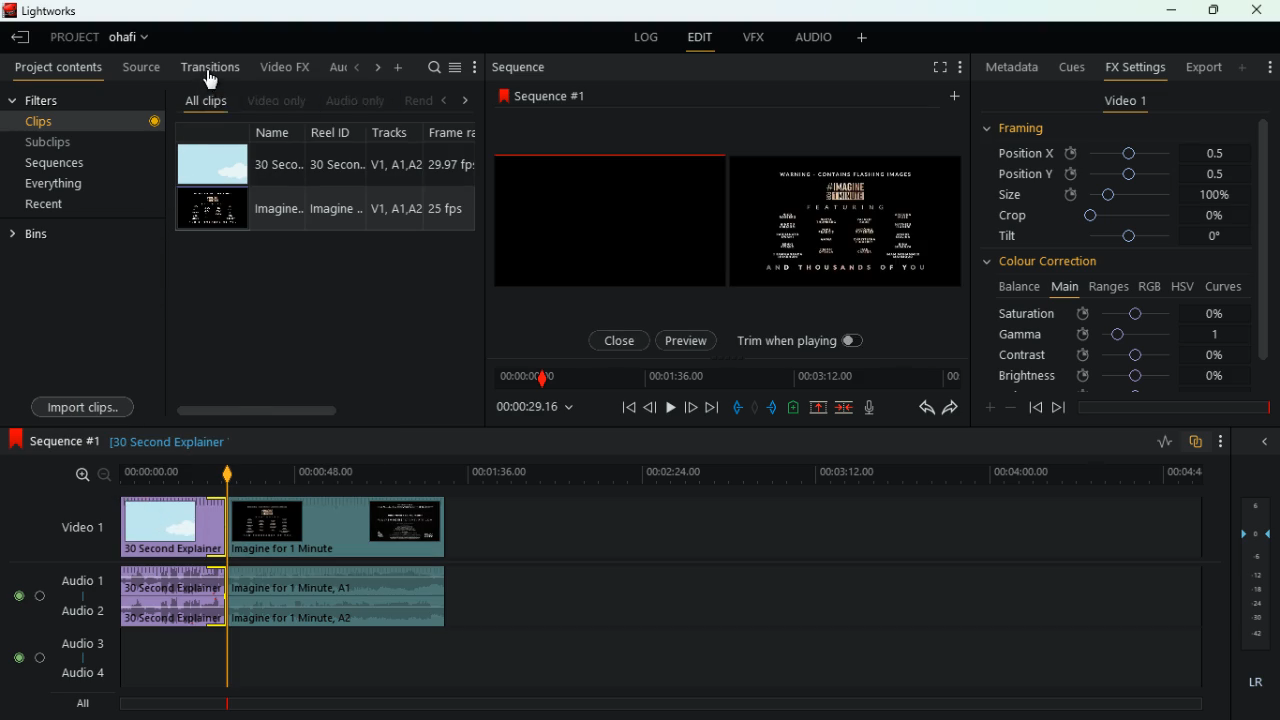 The image size is (1280, 720). Describe the element at coordinates (42, 10) in the screenshot. I see `lightworks` at that location.